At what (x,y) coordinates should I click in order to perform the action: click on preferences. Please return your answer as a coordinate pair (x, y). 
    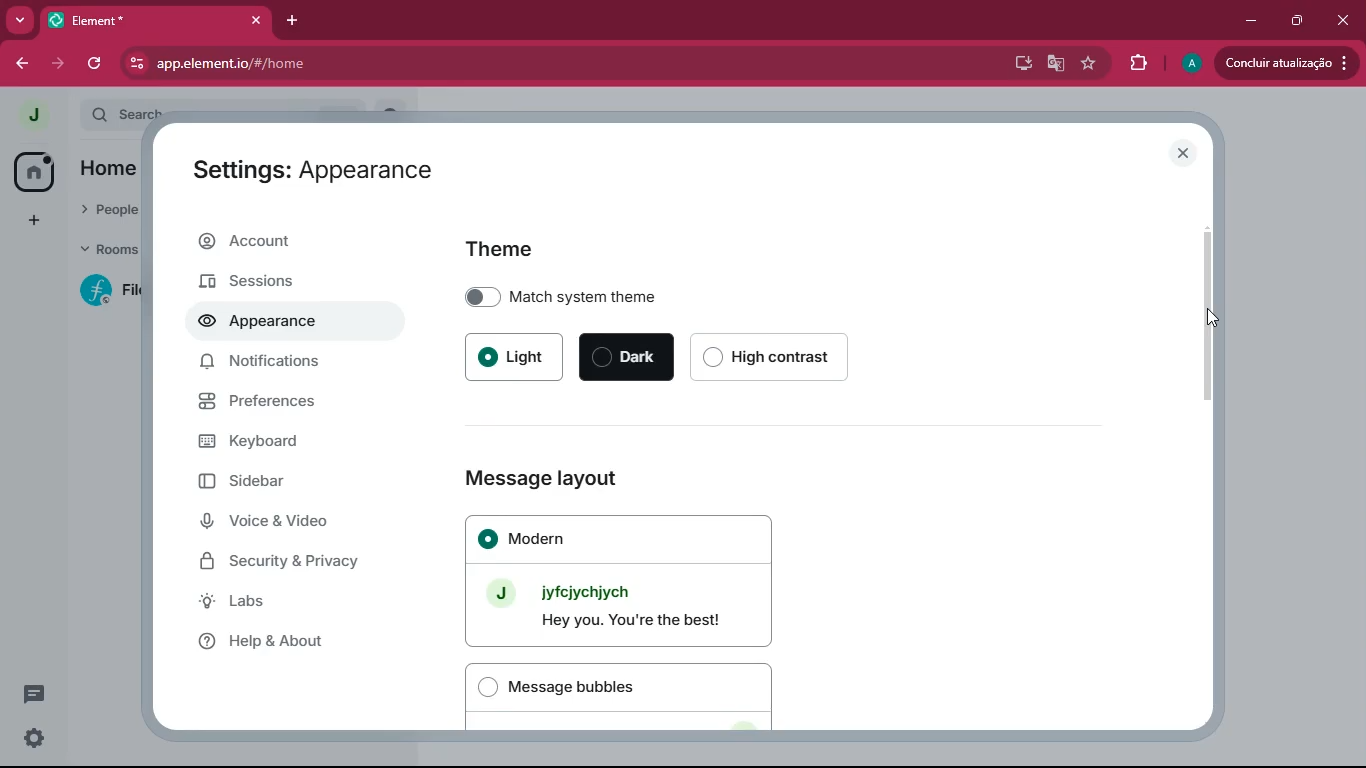
    Looking at the image, I should click on (291, 404).